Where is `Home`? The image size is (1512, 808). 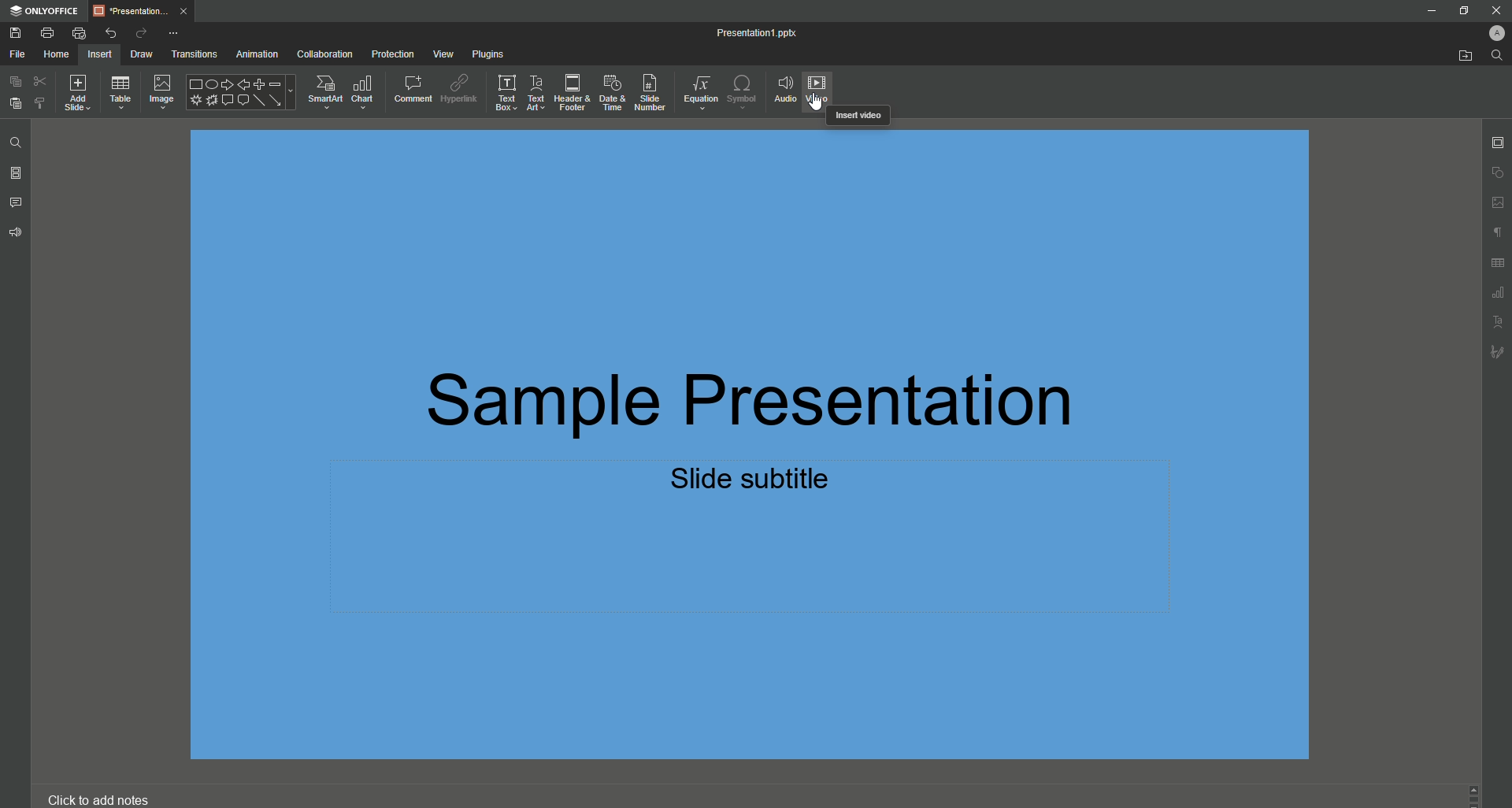
Home is located at coordinates (57, 54).